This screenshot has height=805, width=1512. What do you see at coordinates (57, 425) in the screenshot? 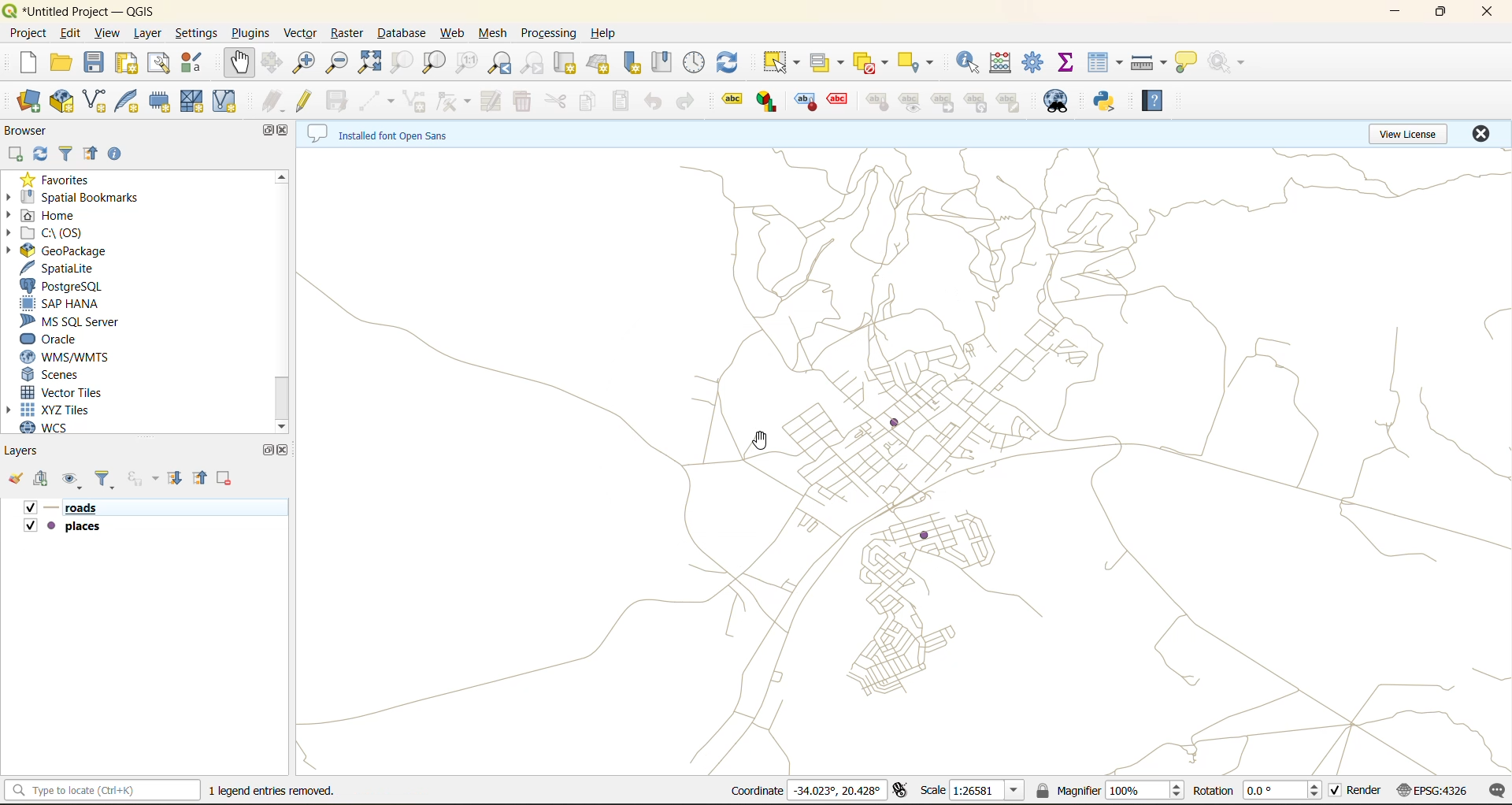
I see `wcs` at bounding box center [57, 425].